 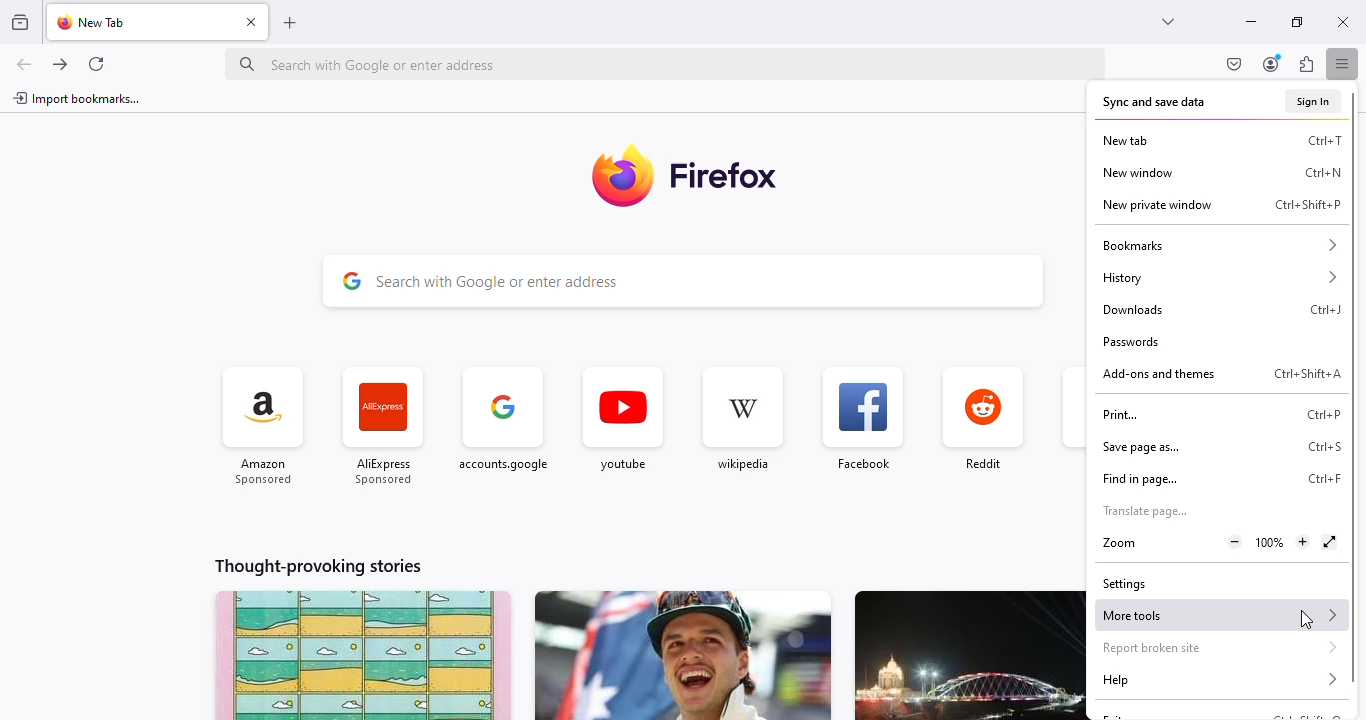 What do you see at coordinates (24, 64) in the screenshot?
I see `go back one page` at bounding box center [24, 64].